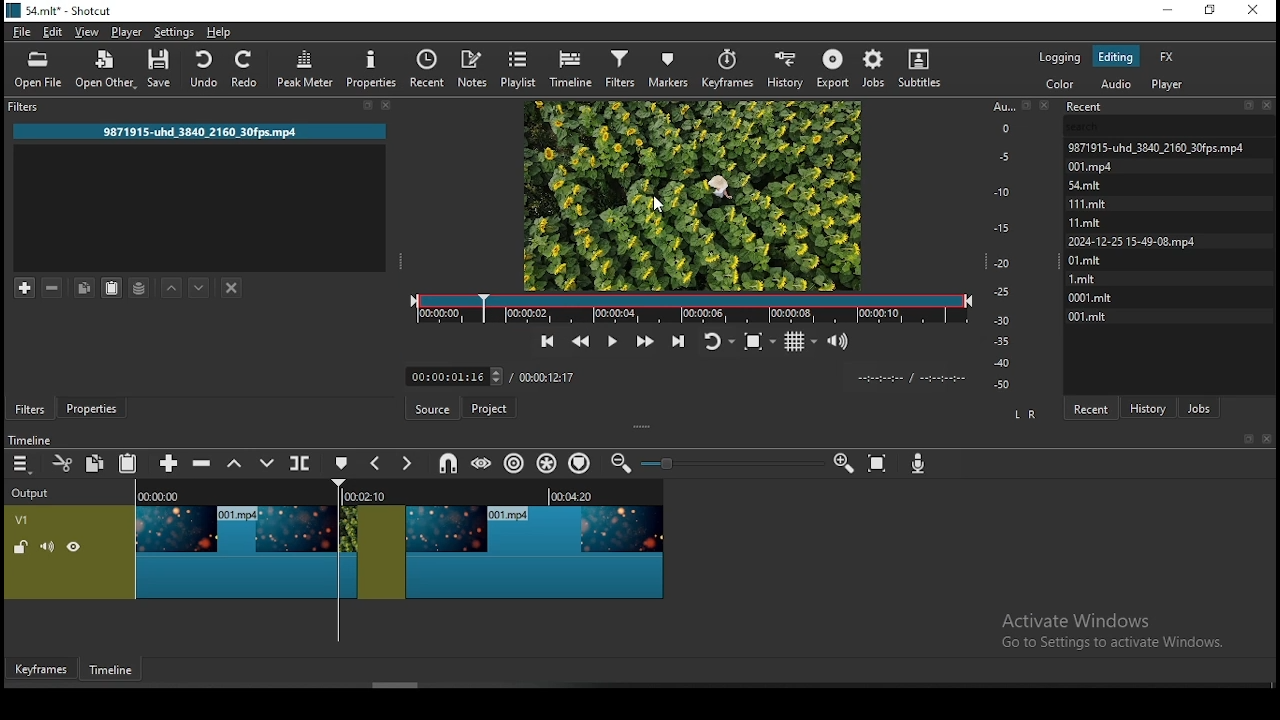 The image size is (1280, 720). What do you see at coordinates (1211, 13) in the screenshot?
I see `restore` at bounding box center [1211, 13].